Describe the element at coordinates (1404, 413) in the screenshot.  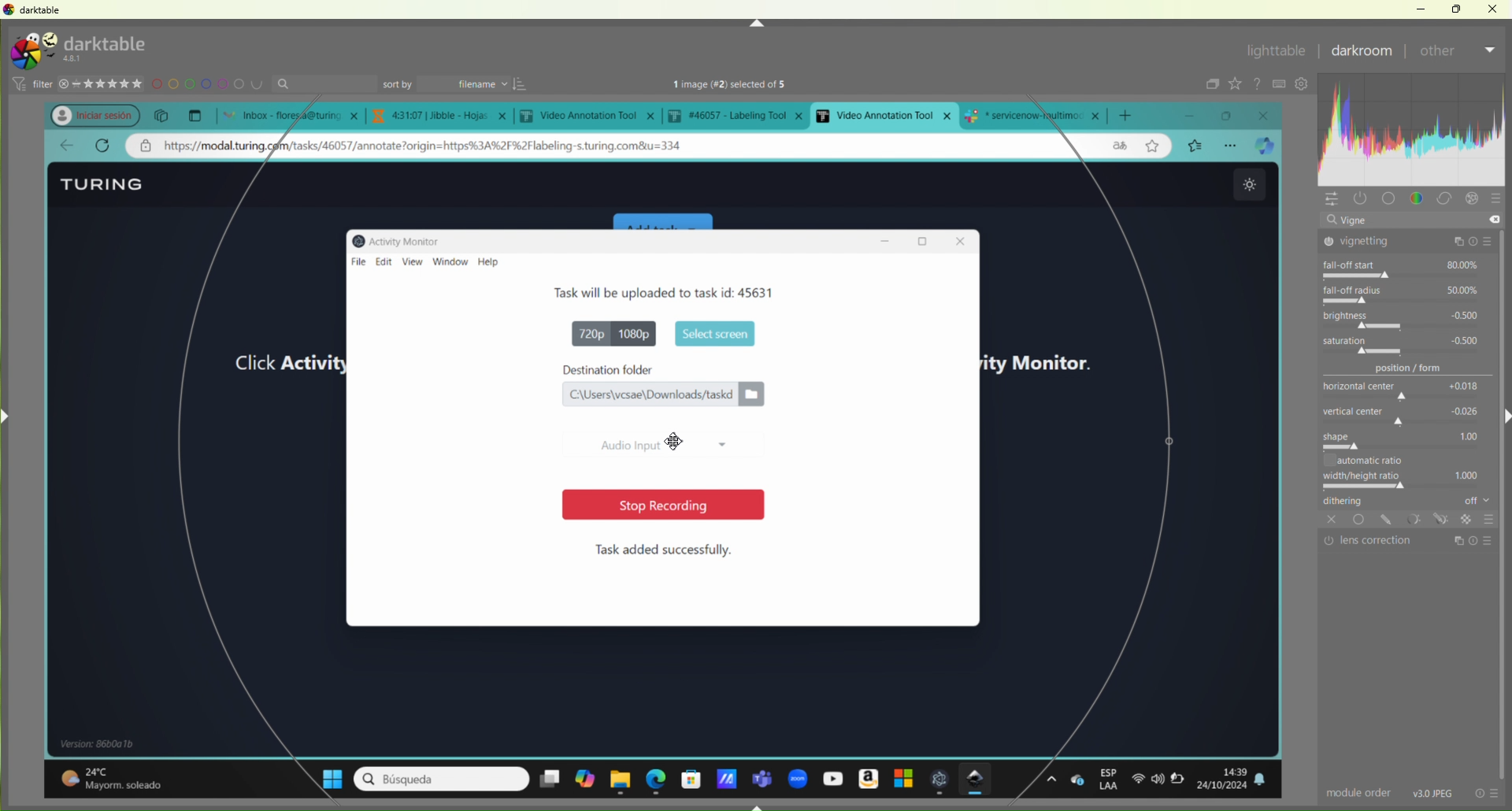
I see `vertical center` at that location.